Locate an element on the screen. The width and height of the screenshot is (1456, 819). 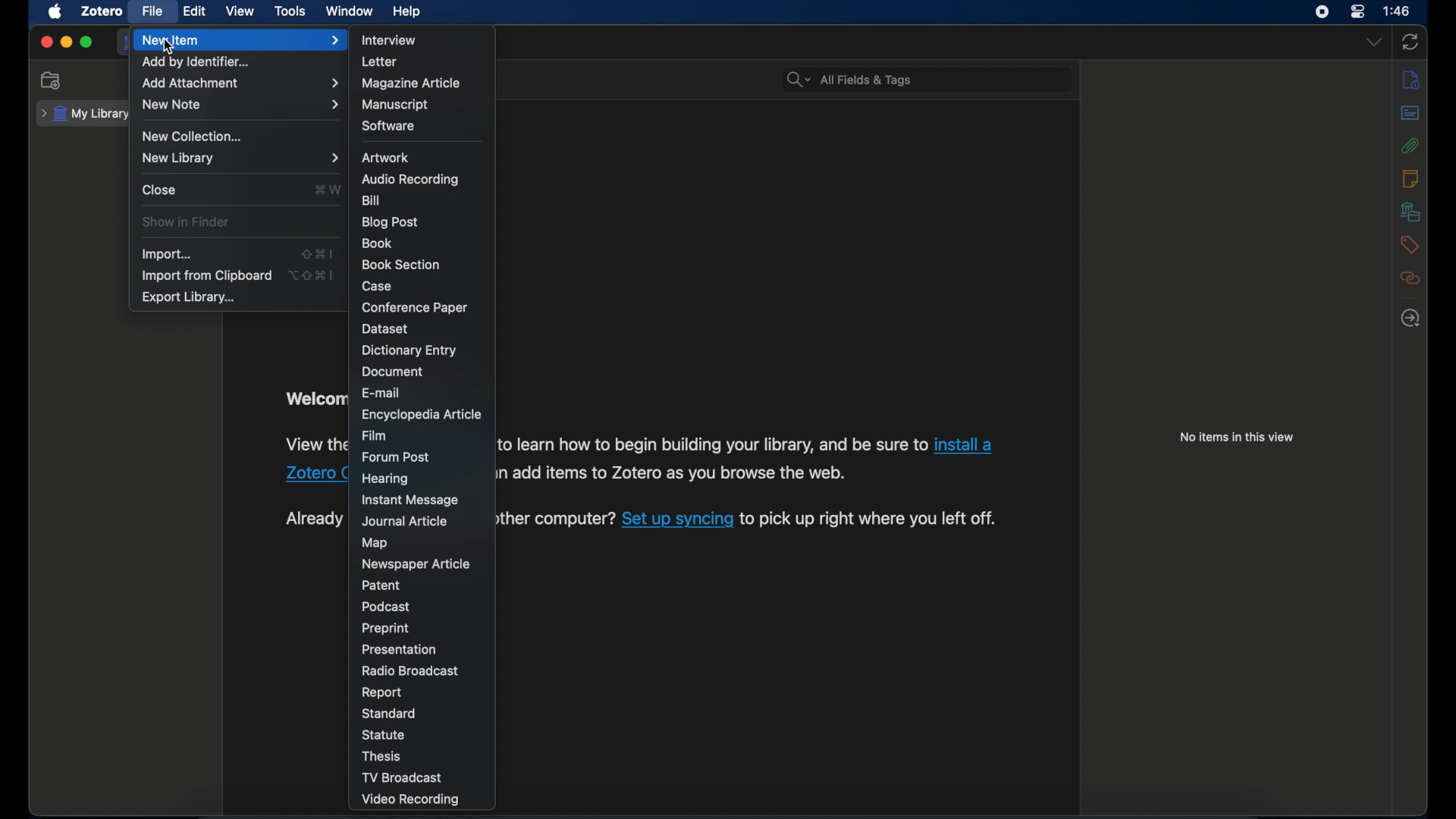
artwork is located at coordinates (385, 157).